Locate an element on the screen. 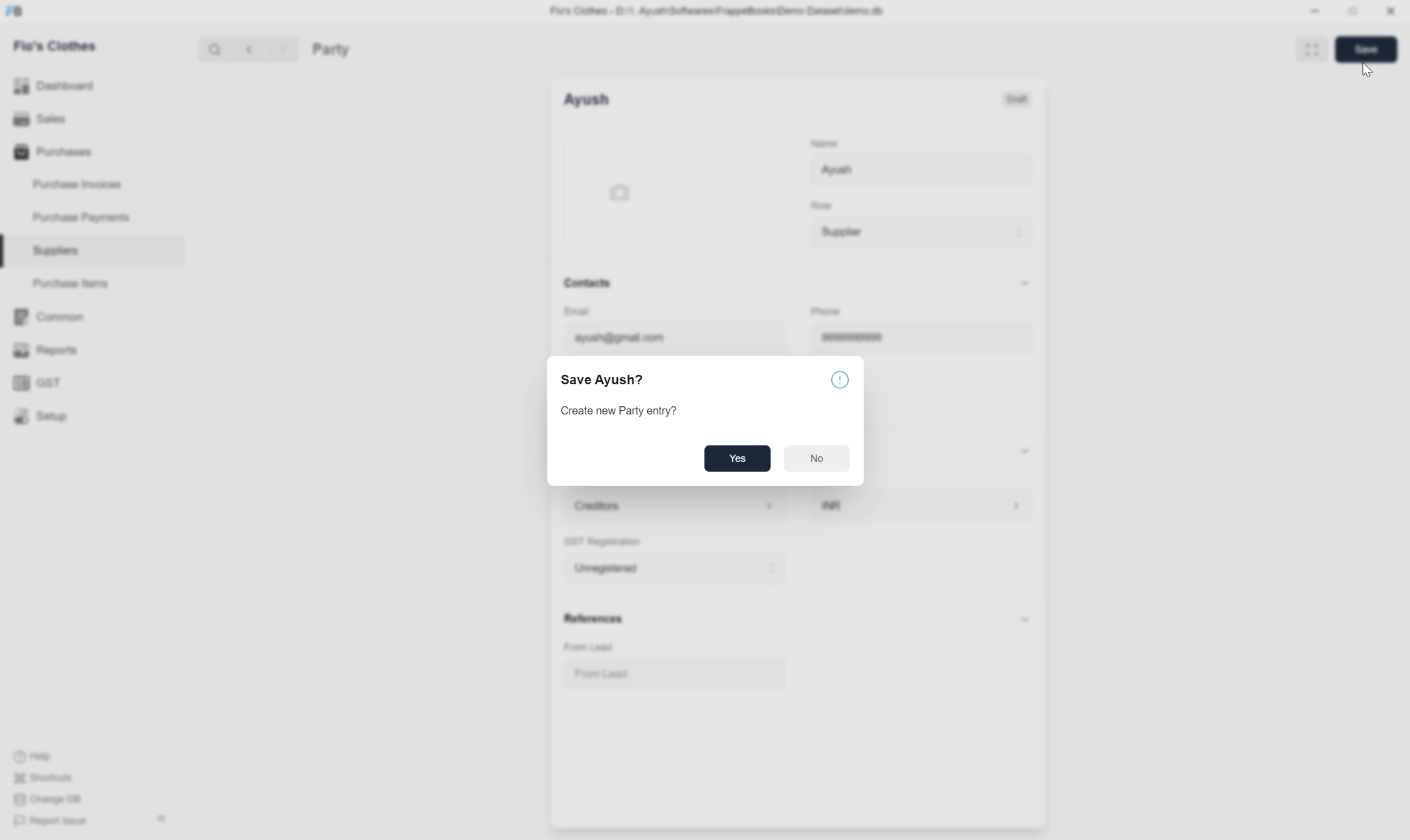  Party is located at coordinates (331, 49).